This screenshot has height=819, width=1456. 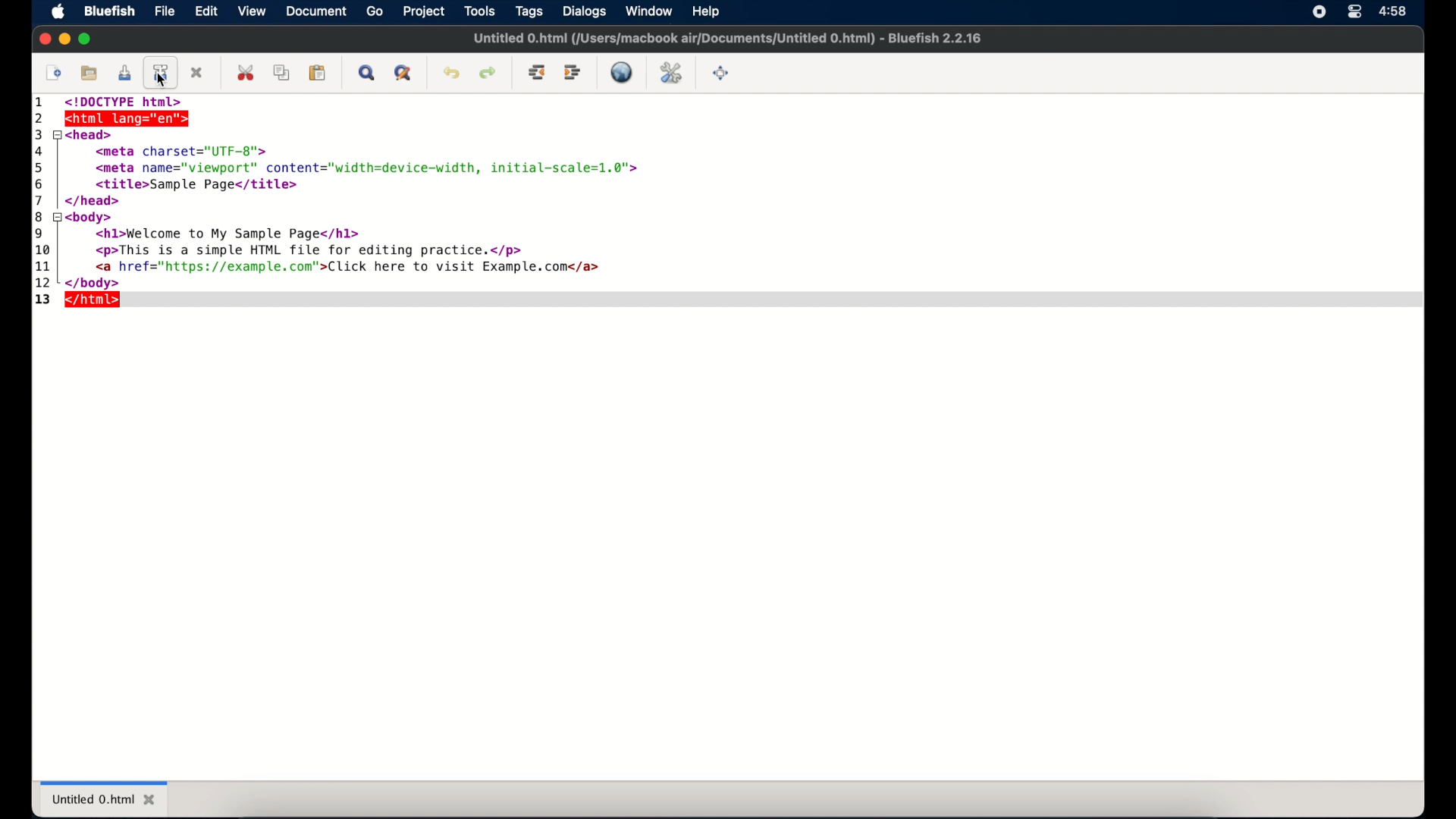 What do you see at coordinates (39, 233) in the screenshot?
I see `9` at bounding box center [39, 233].